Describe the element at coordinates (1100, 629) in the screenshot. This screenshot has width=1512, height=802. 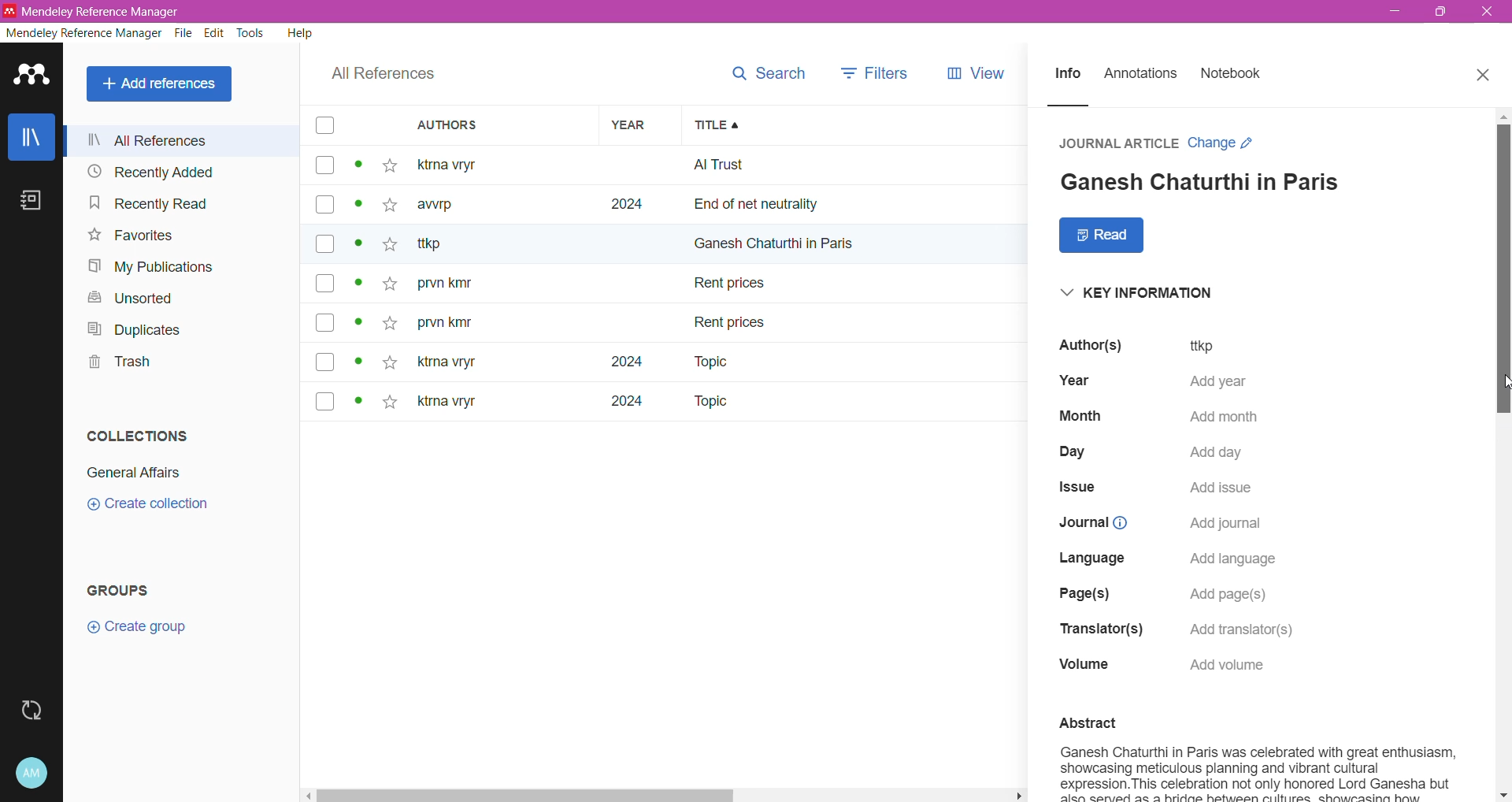
I see `Translators` at that location.